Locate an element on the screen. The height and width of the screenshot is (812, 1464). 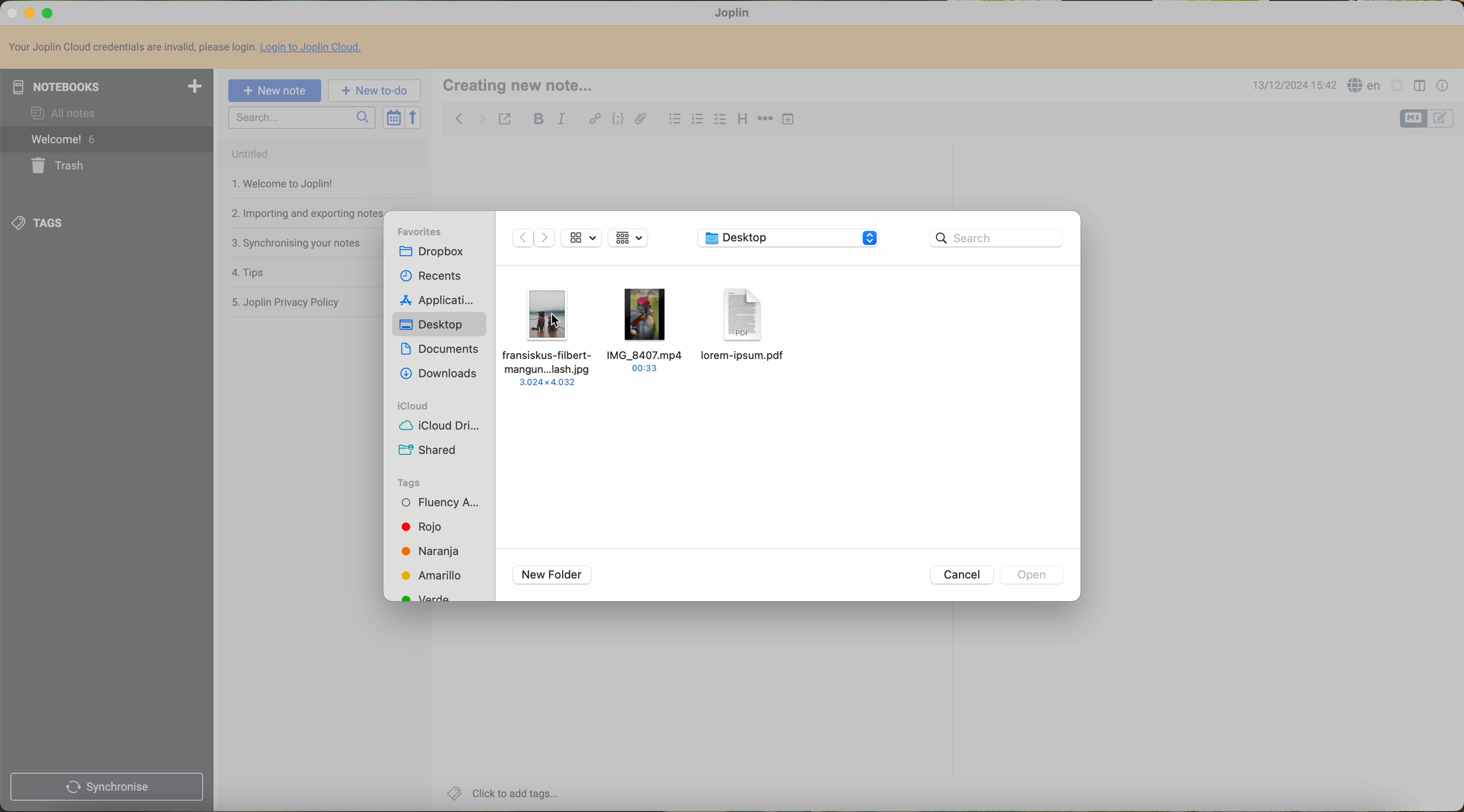
dropbox is located at coordinates (435, 251).